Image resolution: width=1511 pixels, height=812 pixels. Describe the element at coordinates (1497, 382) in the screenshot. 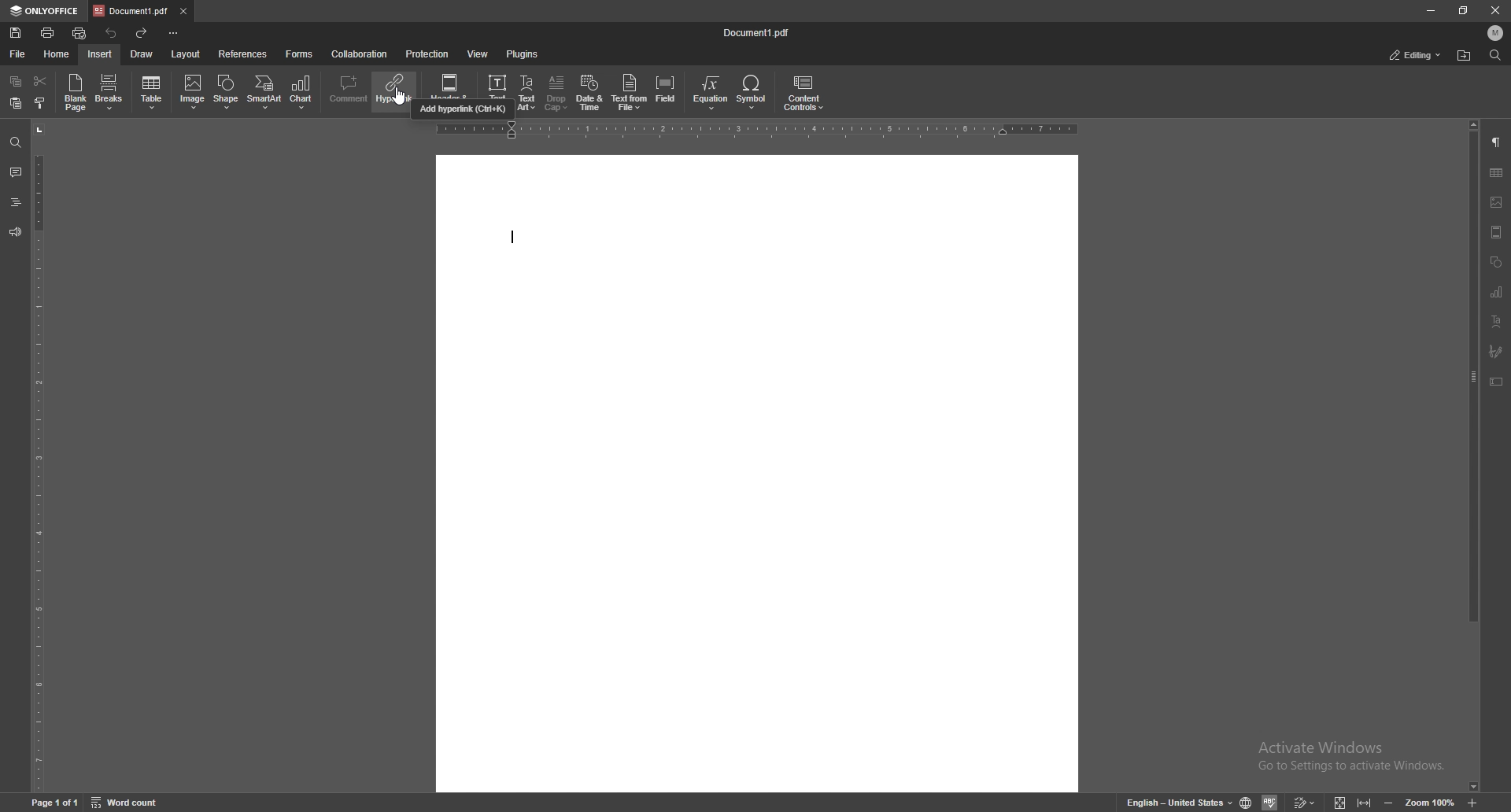

I see `text box` at that location.